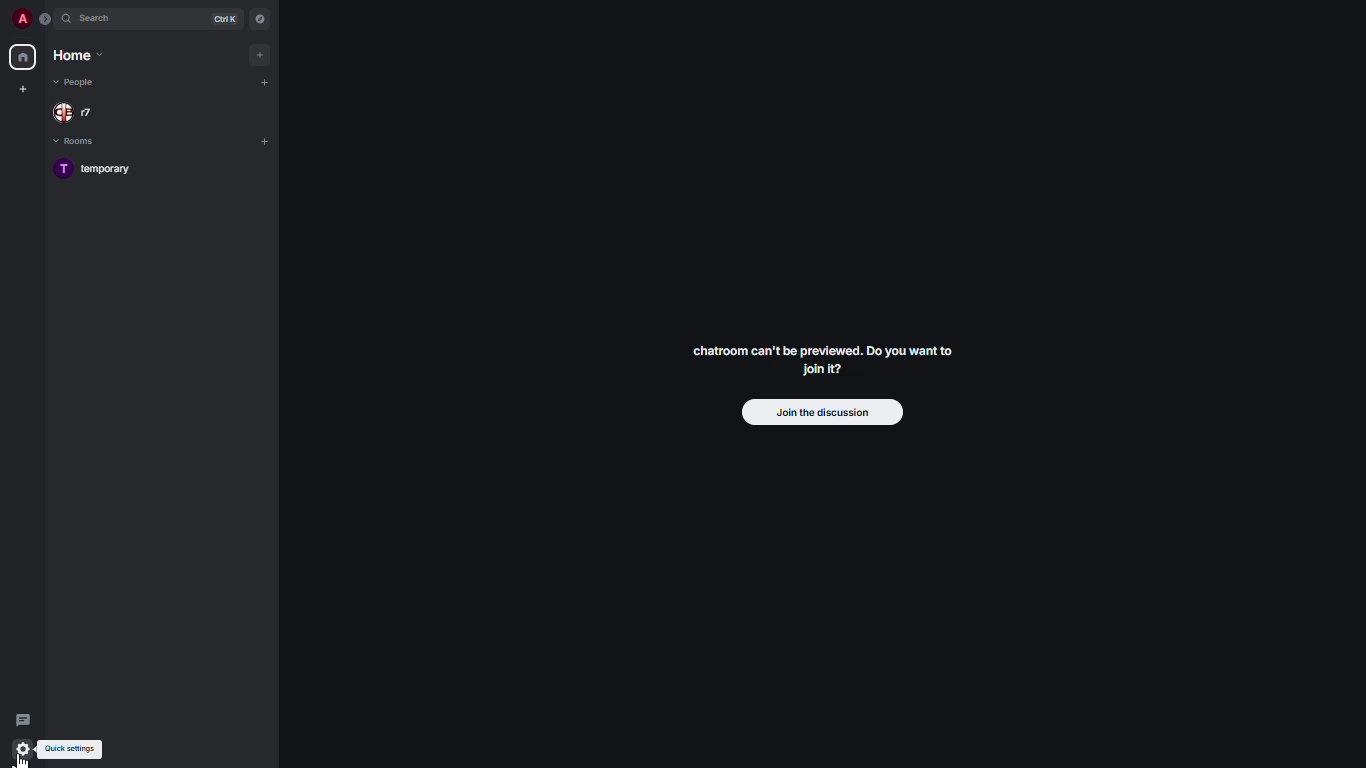  What do you see at coordinates (28, 756) in the screenshot?
I see `cursor` at bounding box center [28, 756].